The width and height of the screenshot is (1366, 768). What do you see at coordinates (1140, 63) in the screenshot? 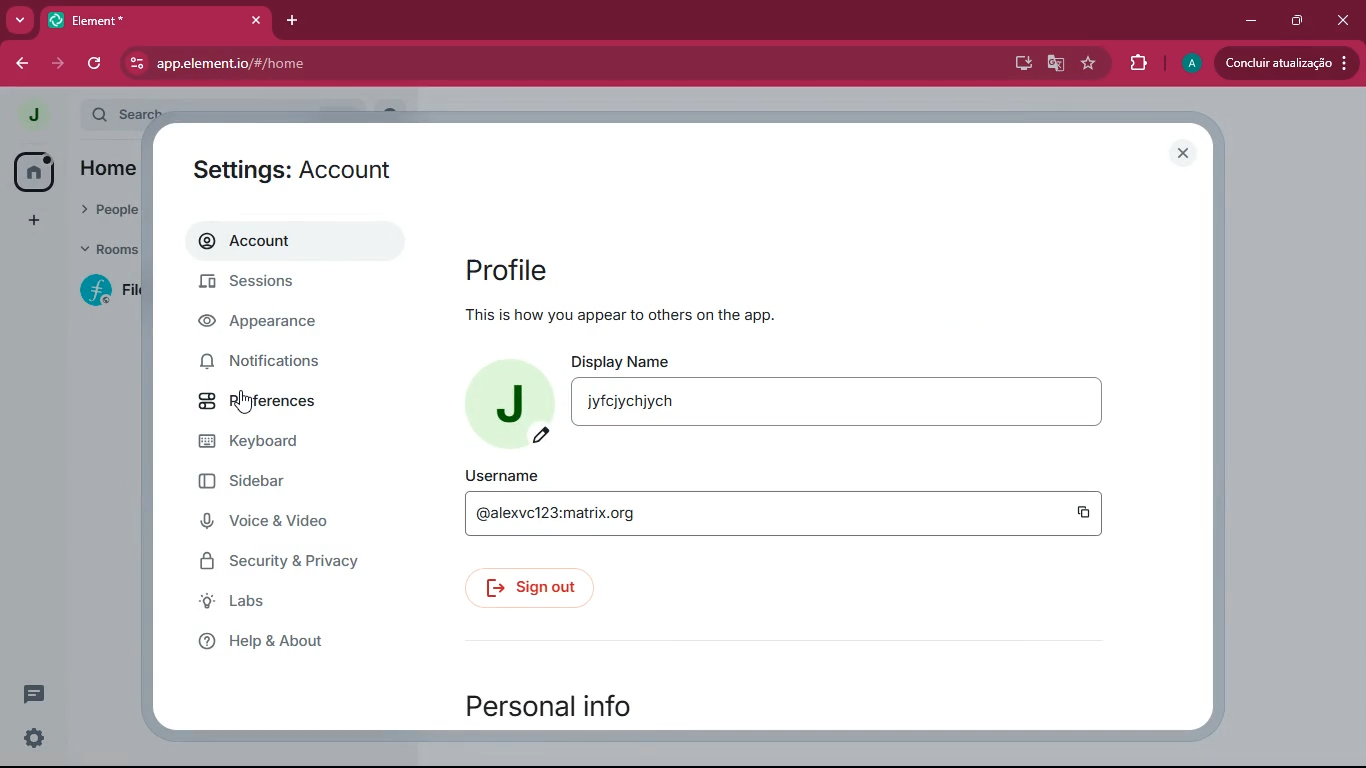
I see `extensions` at bounding box center [1140, 63].